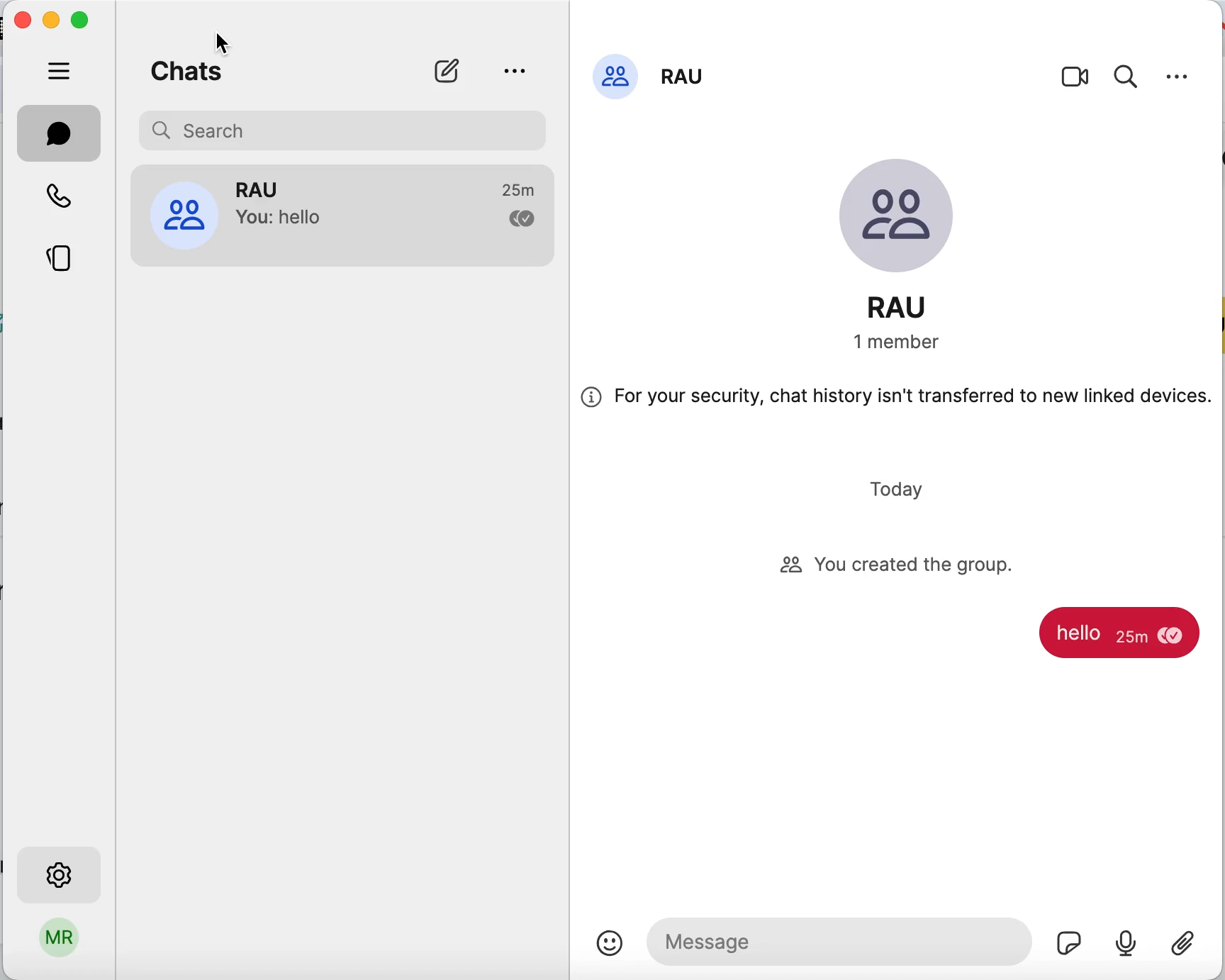  Describe the element at coordinates (84, 22) in the screenshot. I see `maximize` at that location.